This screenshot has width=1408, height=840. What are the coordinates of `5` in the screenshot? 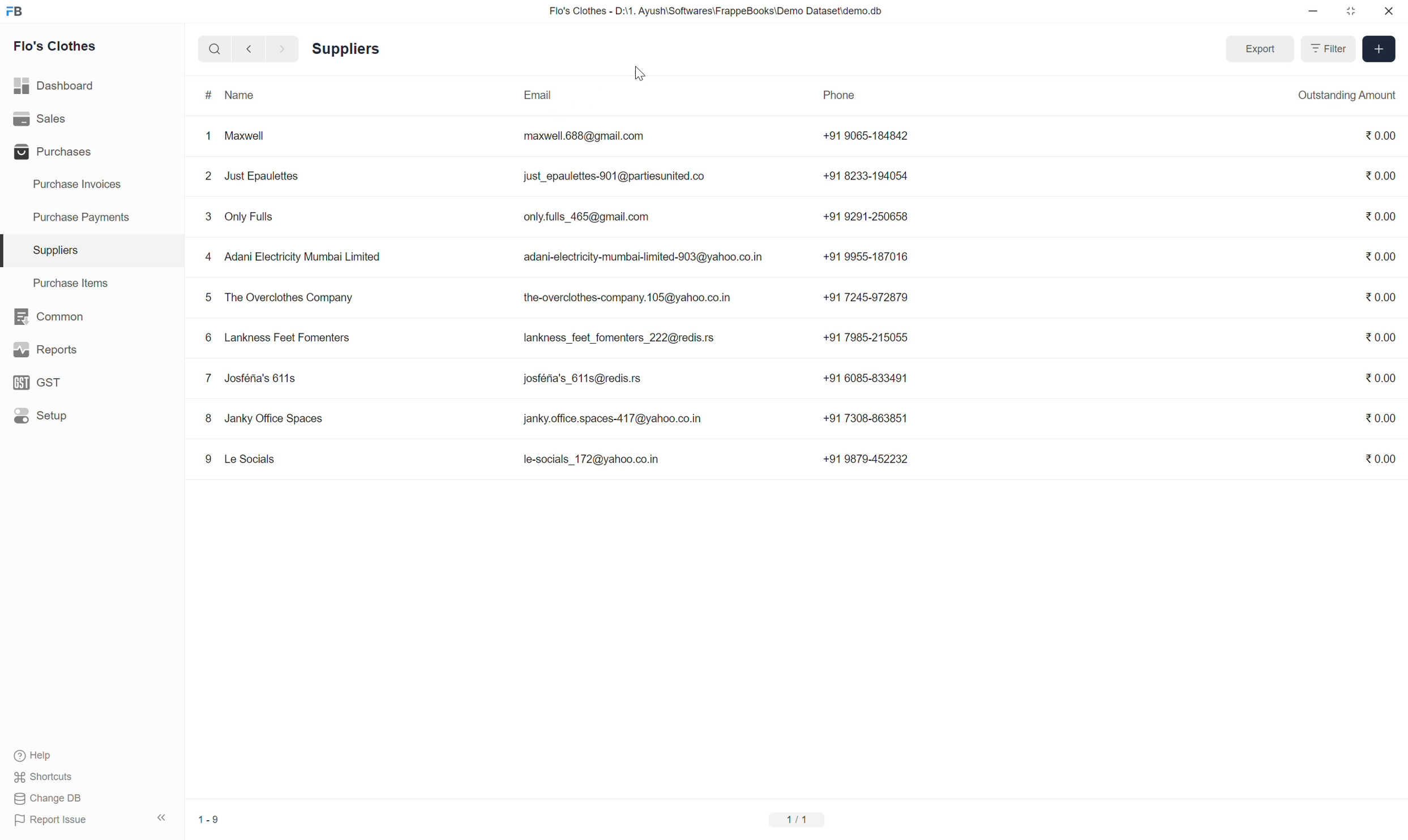 It's located at (207, 298).